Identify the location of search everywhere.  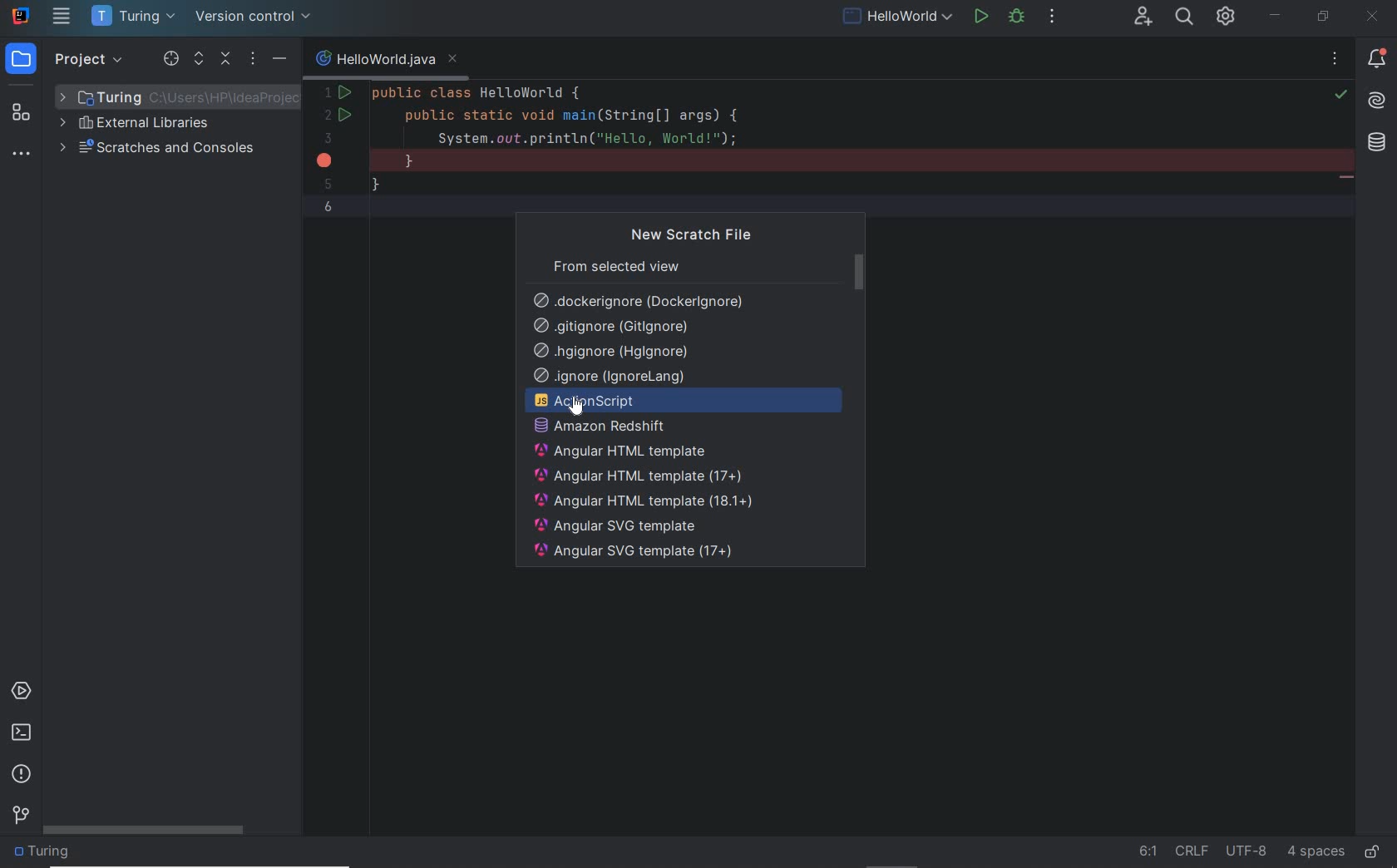
(1185, 18).